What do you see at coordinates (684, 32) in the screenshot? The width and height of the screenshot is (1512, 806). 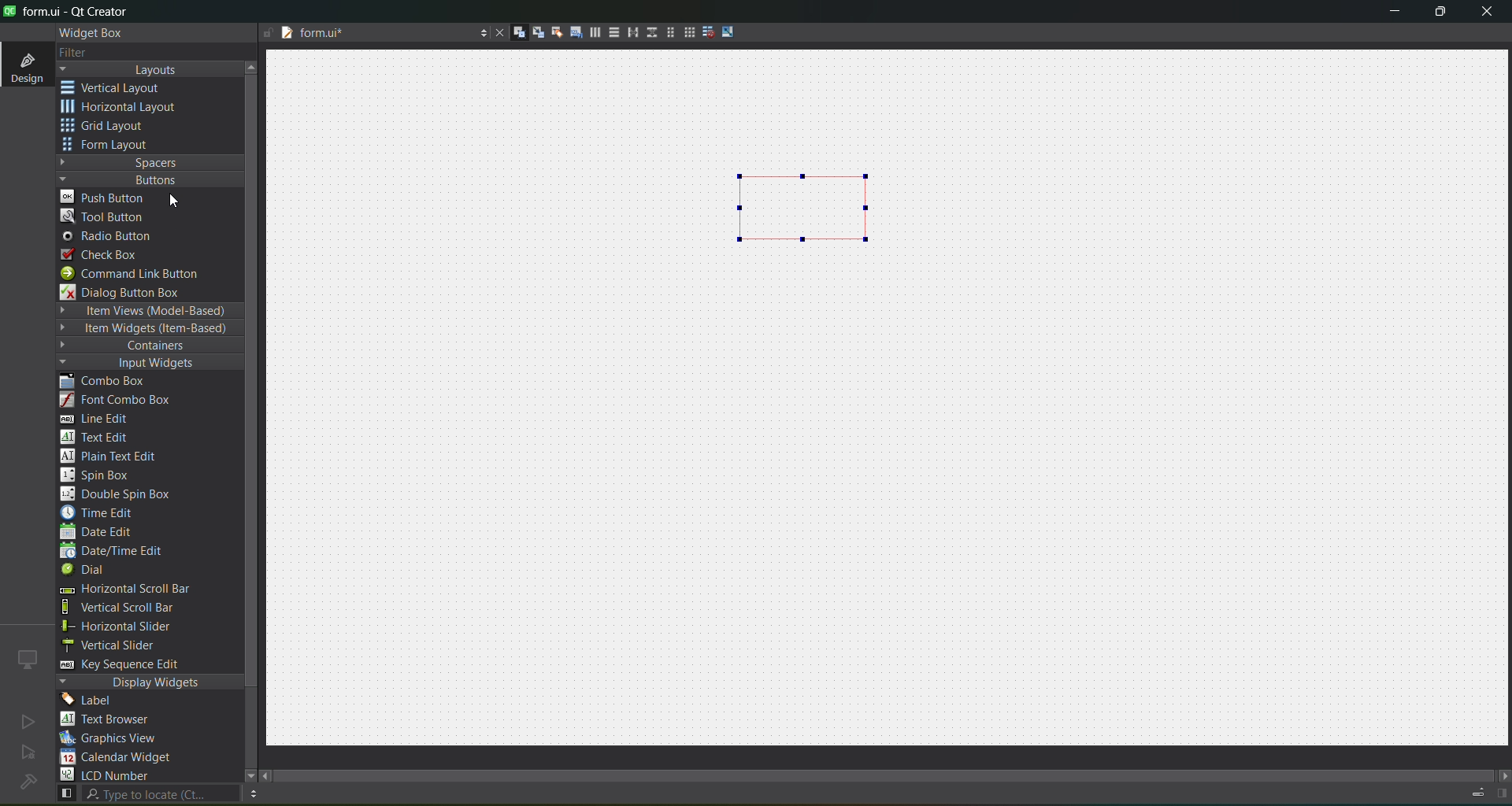 I see `layout in a grid` at bounding box center [684, 32].